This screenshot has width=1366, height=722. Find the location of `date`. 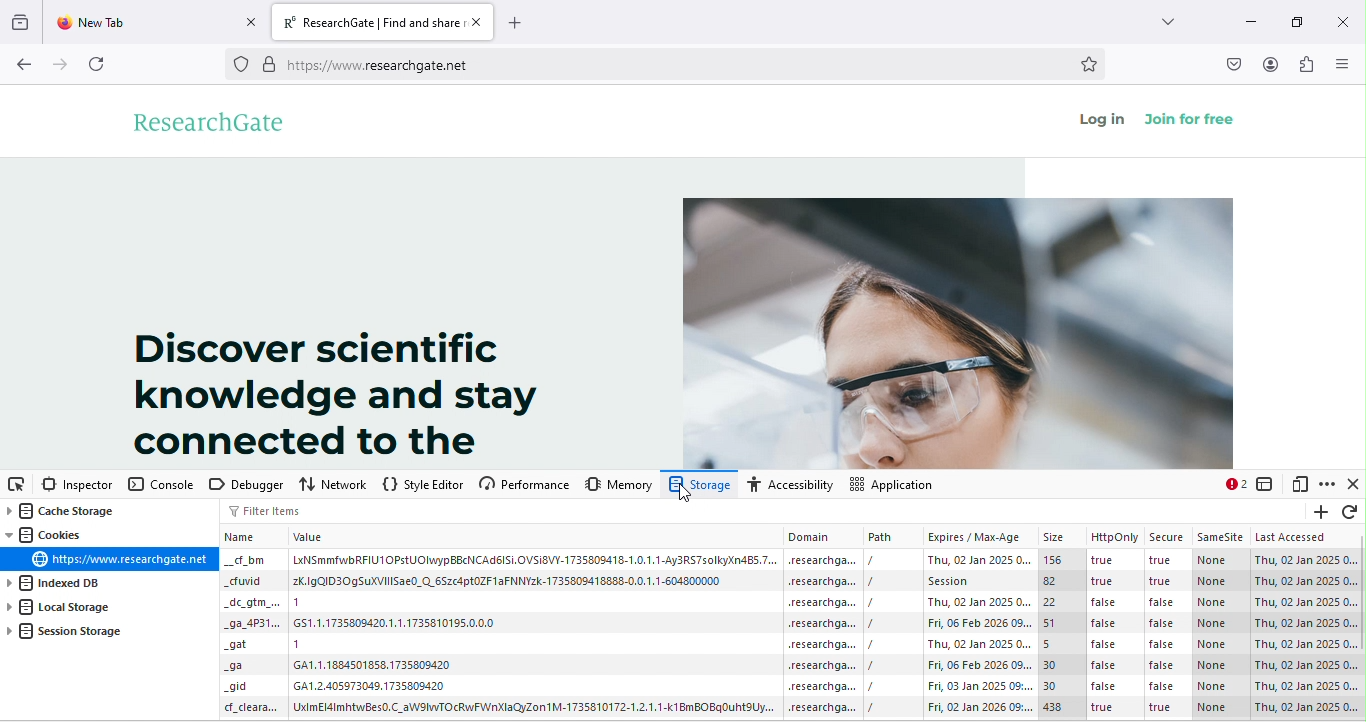

date is located at coordinates (980, 603).